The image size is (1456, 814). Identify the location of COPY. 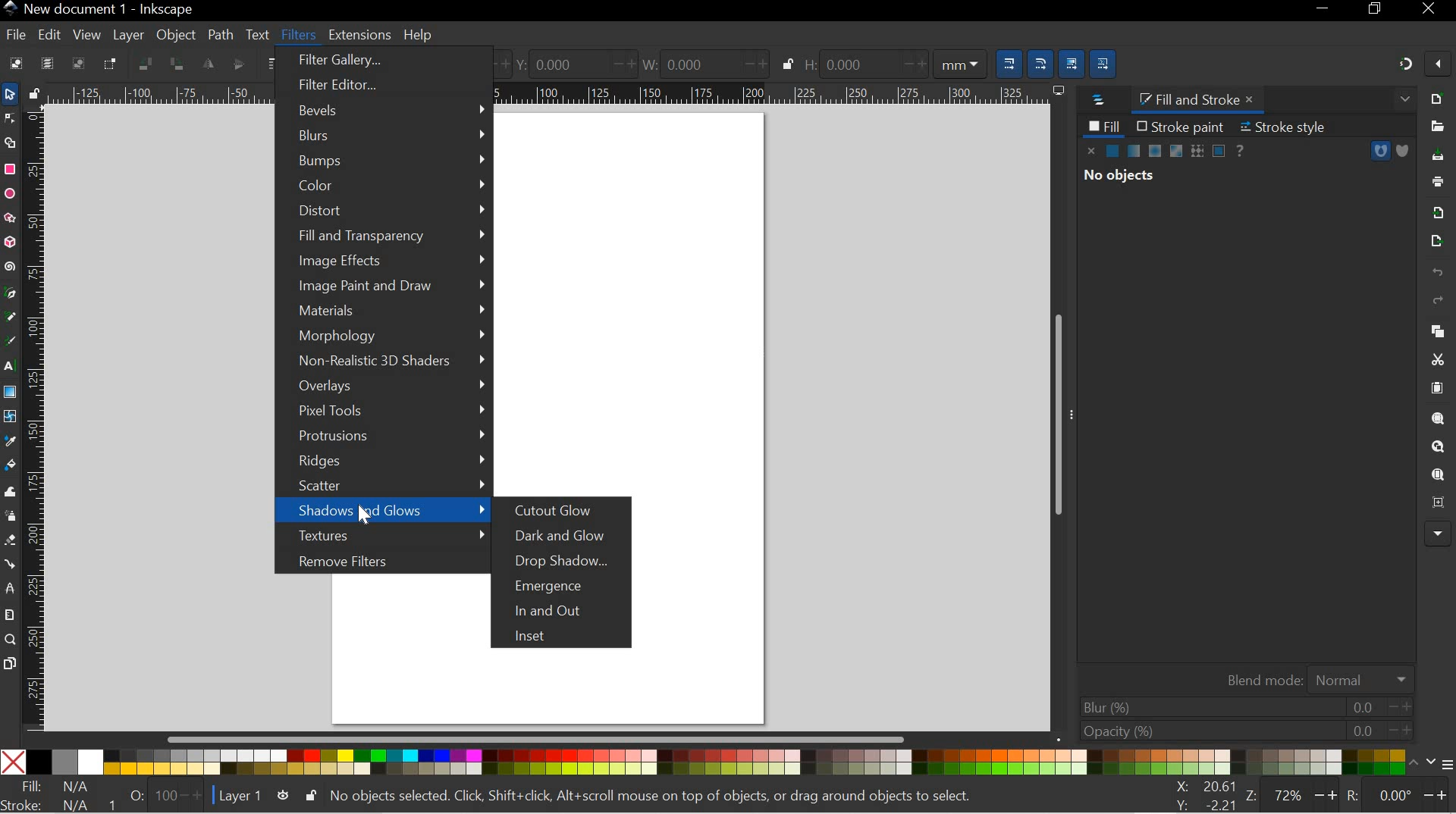
(1435, 329).